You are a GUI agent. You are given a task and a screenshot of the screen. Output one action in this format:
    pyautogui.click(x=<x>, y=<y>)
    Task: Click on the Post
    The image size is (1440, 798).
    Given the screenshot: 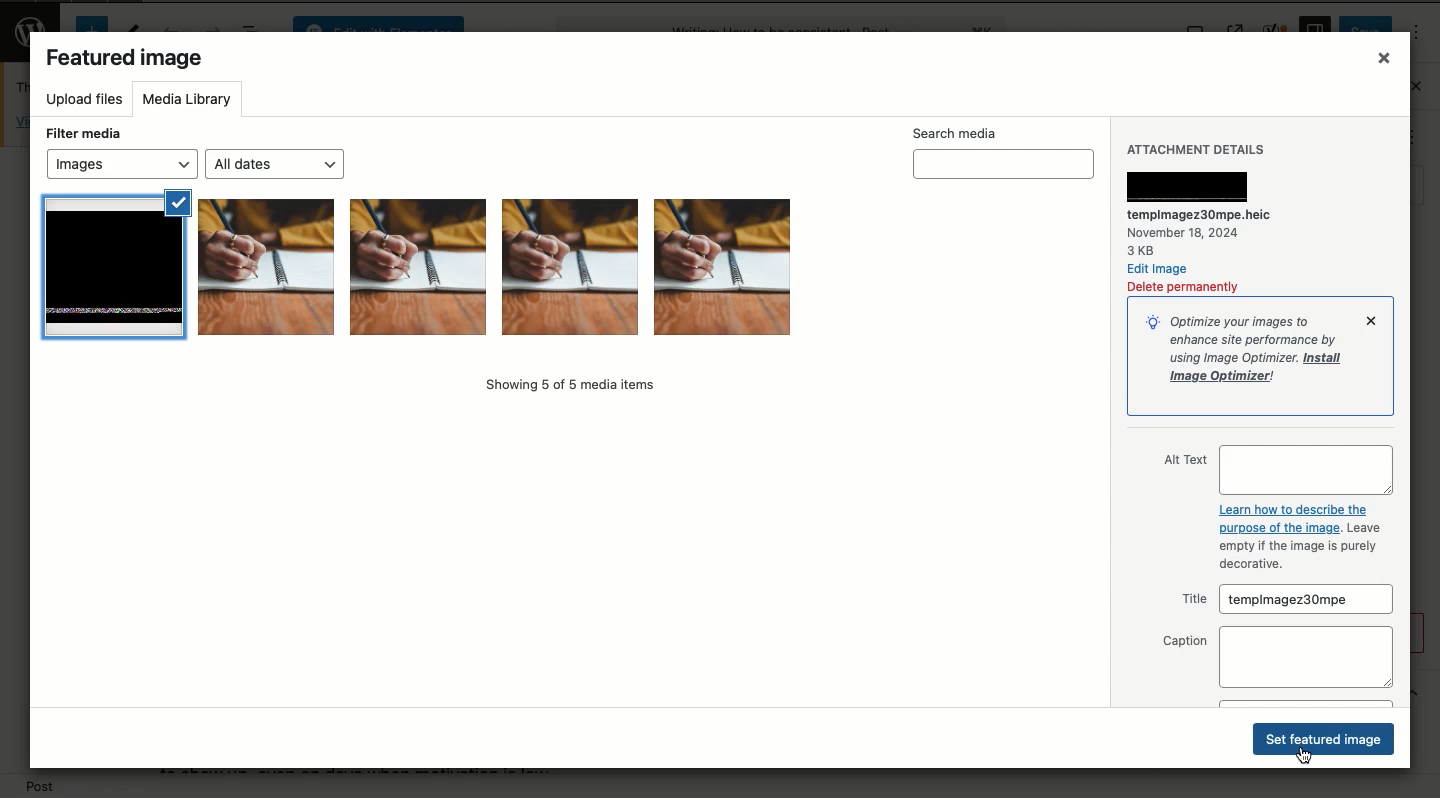 What is the action you would take?
    pyautogui.click(x=51, y=787)
    